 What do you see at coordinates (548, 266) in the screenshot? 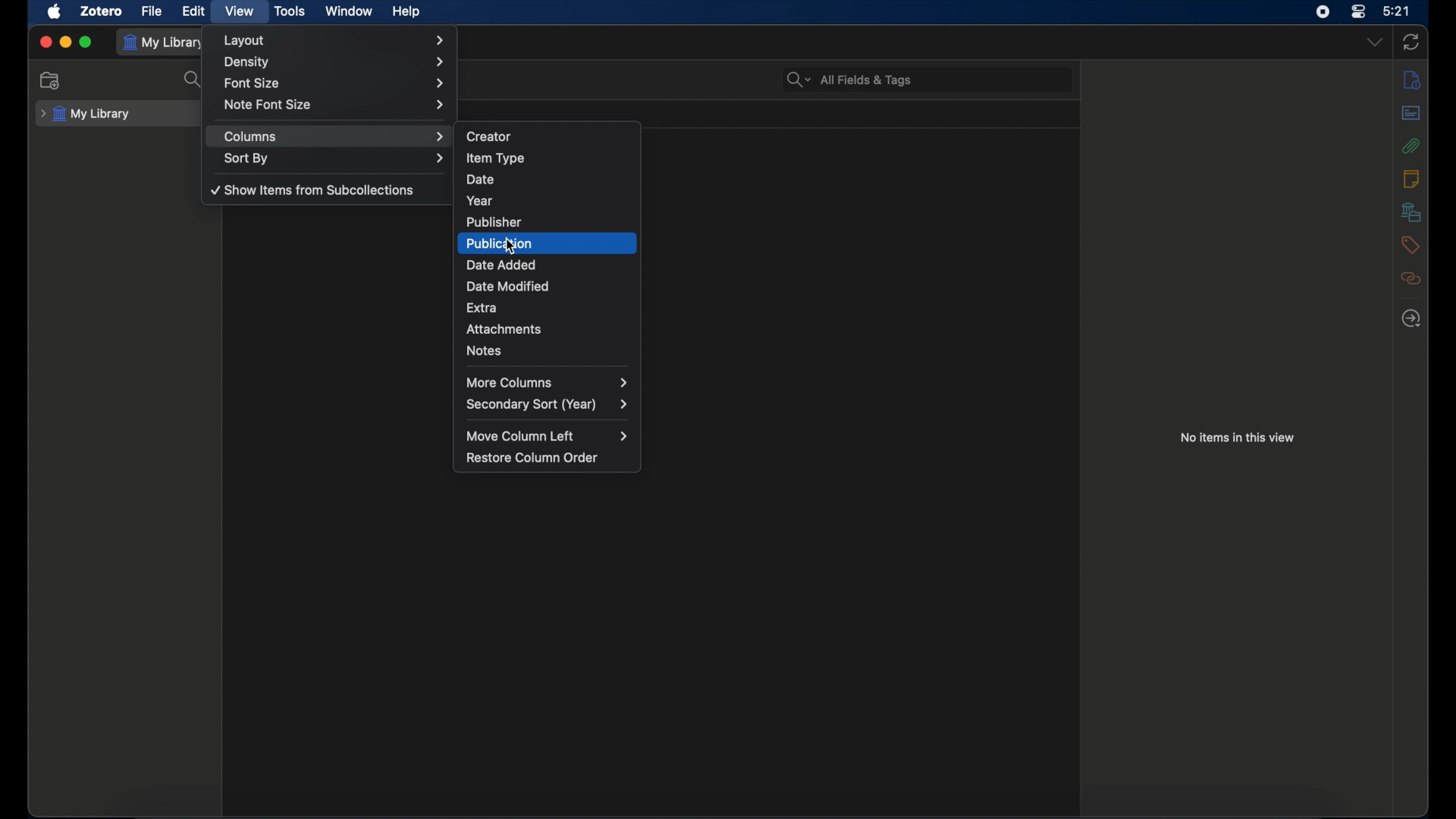
I see `date modified` at bounding box center [548, 266].